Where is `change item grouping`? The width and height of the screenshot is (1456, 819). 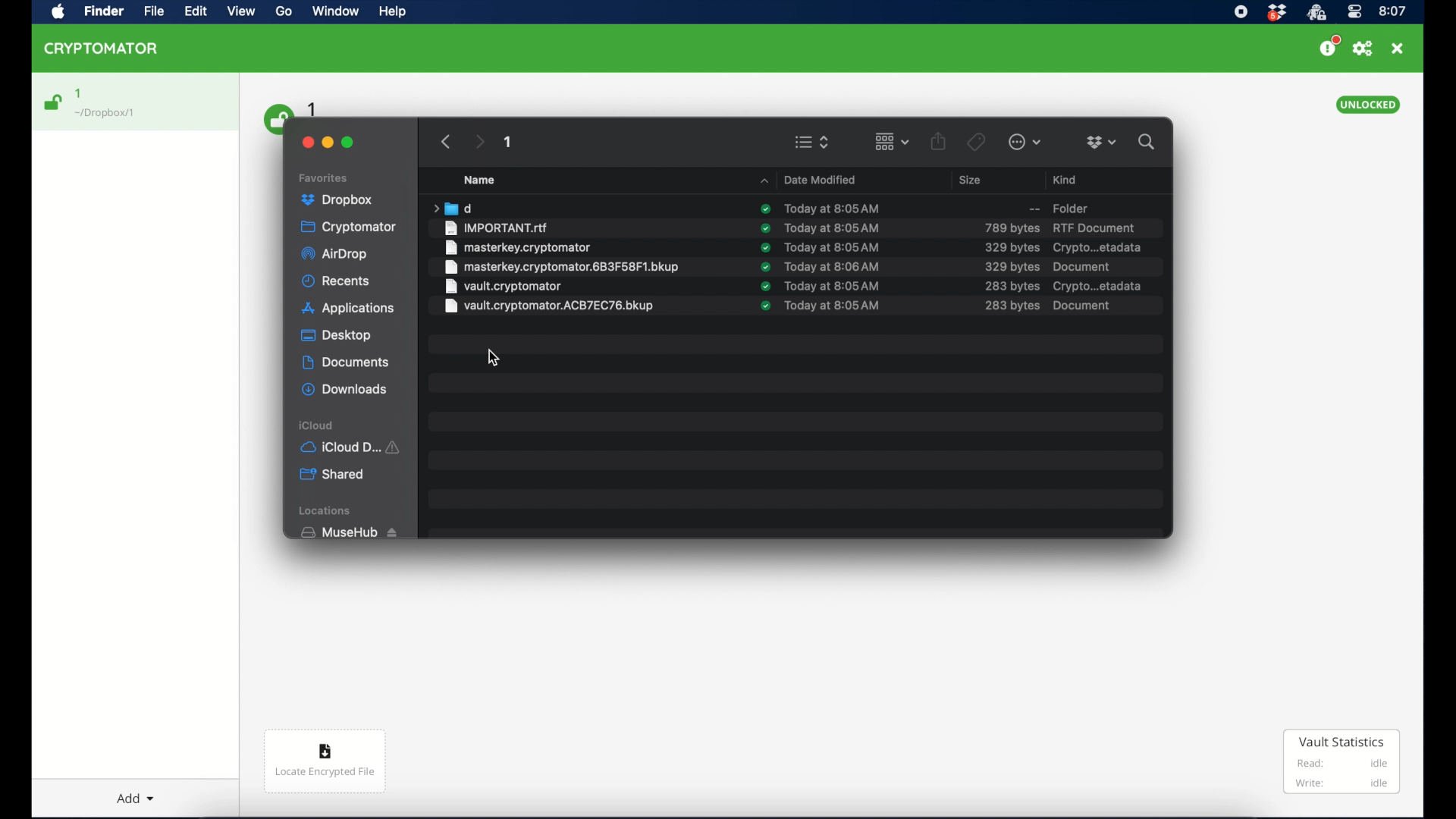 change item grouping is located at coordinates (891, 141).